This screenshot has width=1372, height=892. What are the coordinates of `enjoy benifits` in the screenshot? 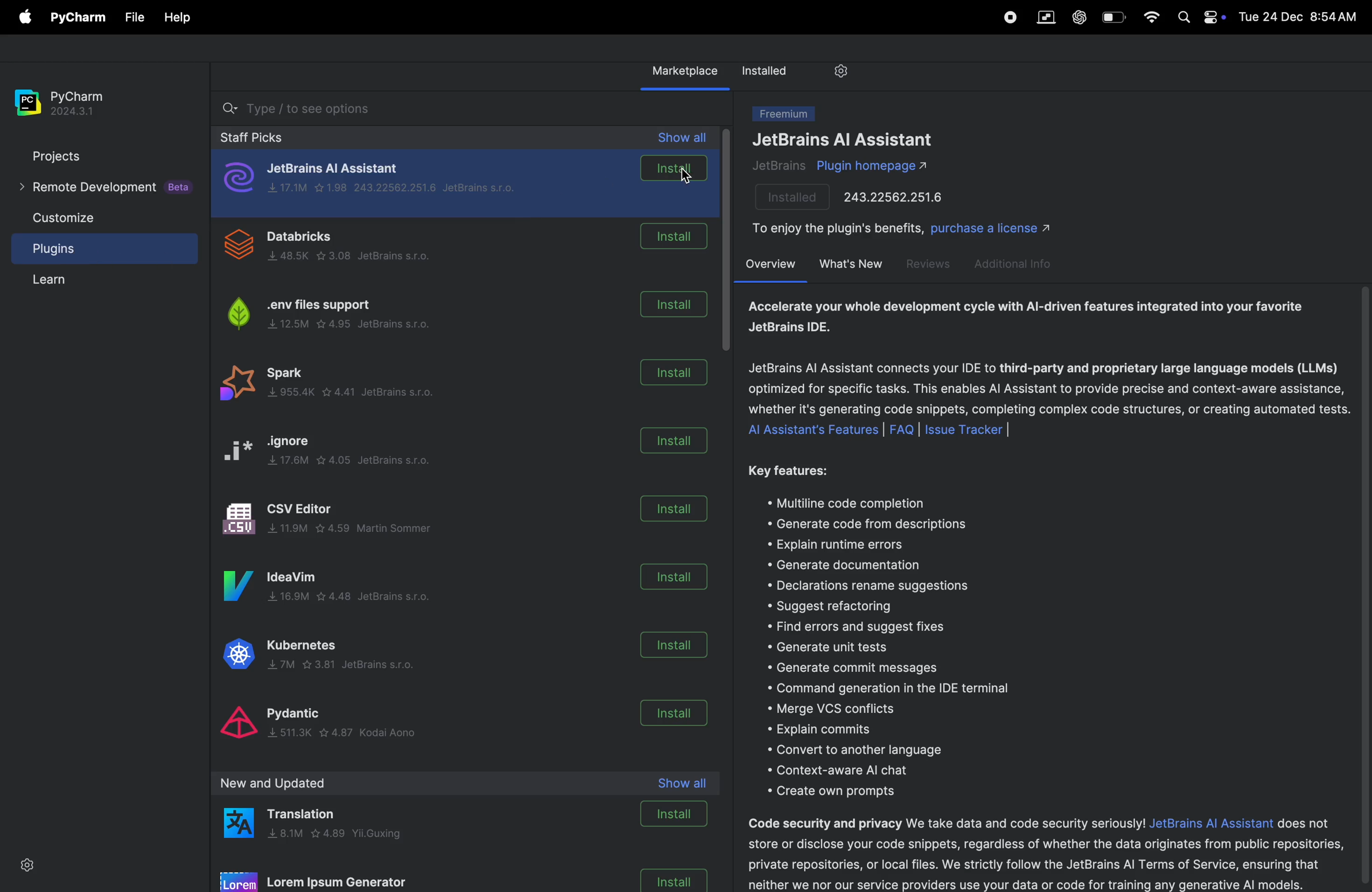 It's located at (912, 229).